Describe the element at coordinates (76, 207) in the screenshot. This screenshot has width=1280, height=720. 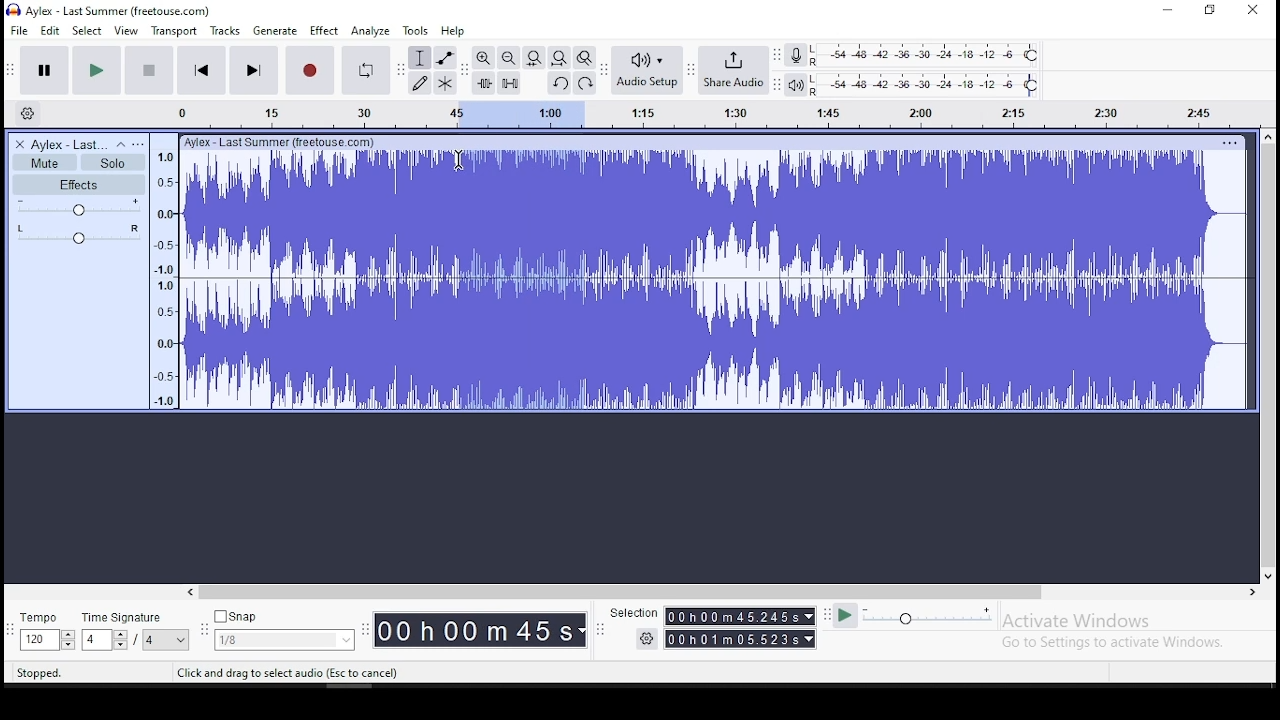
I see `volume` at that location.